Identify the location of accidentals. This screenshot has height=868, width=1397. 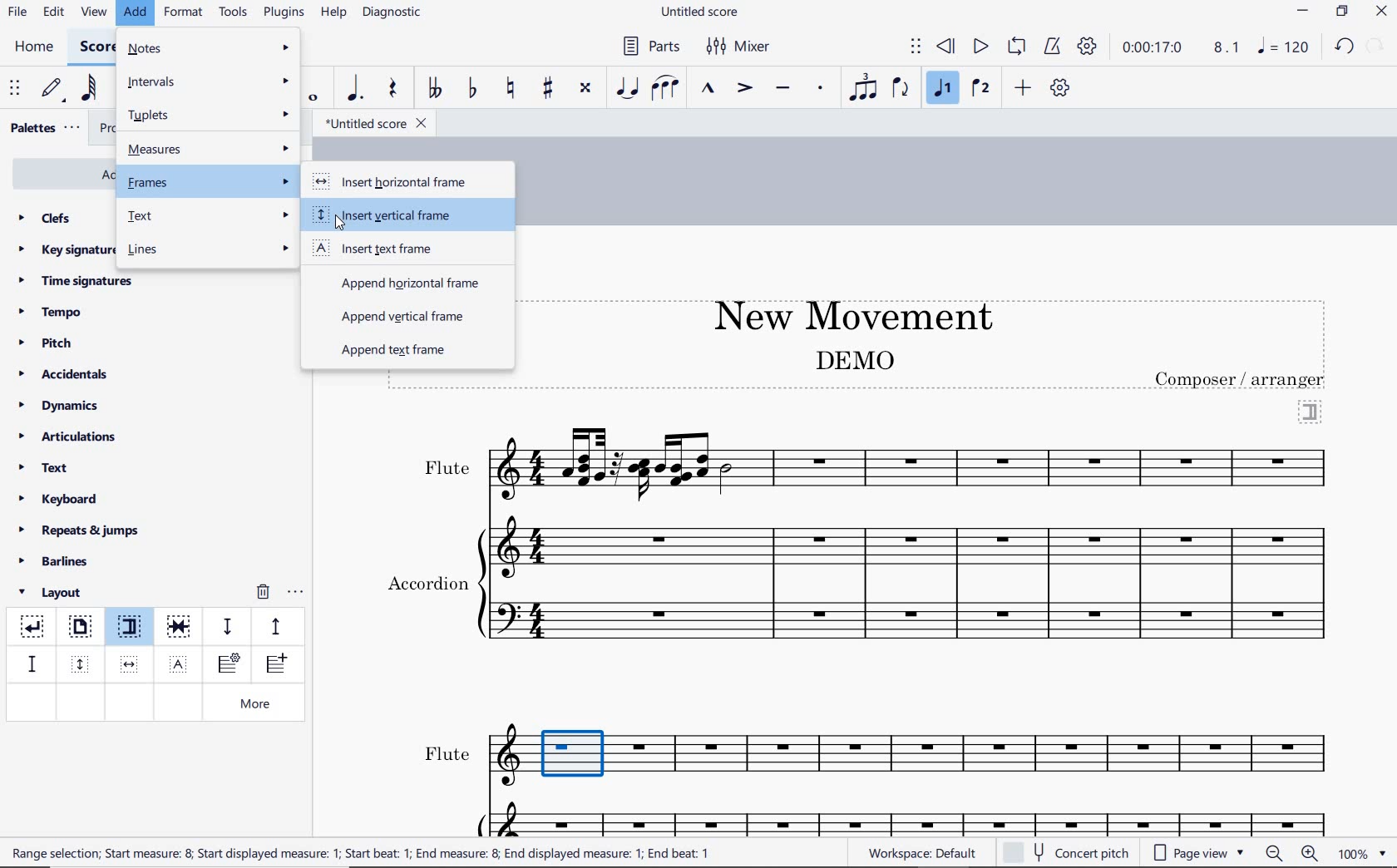
(66, 373).